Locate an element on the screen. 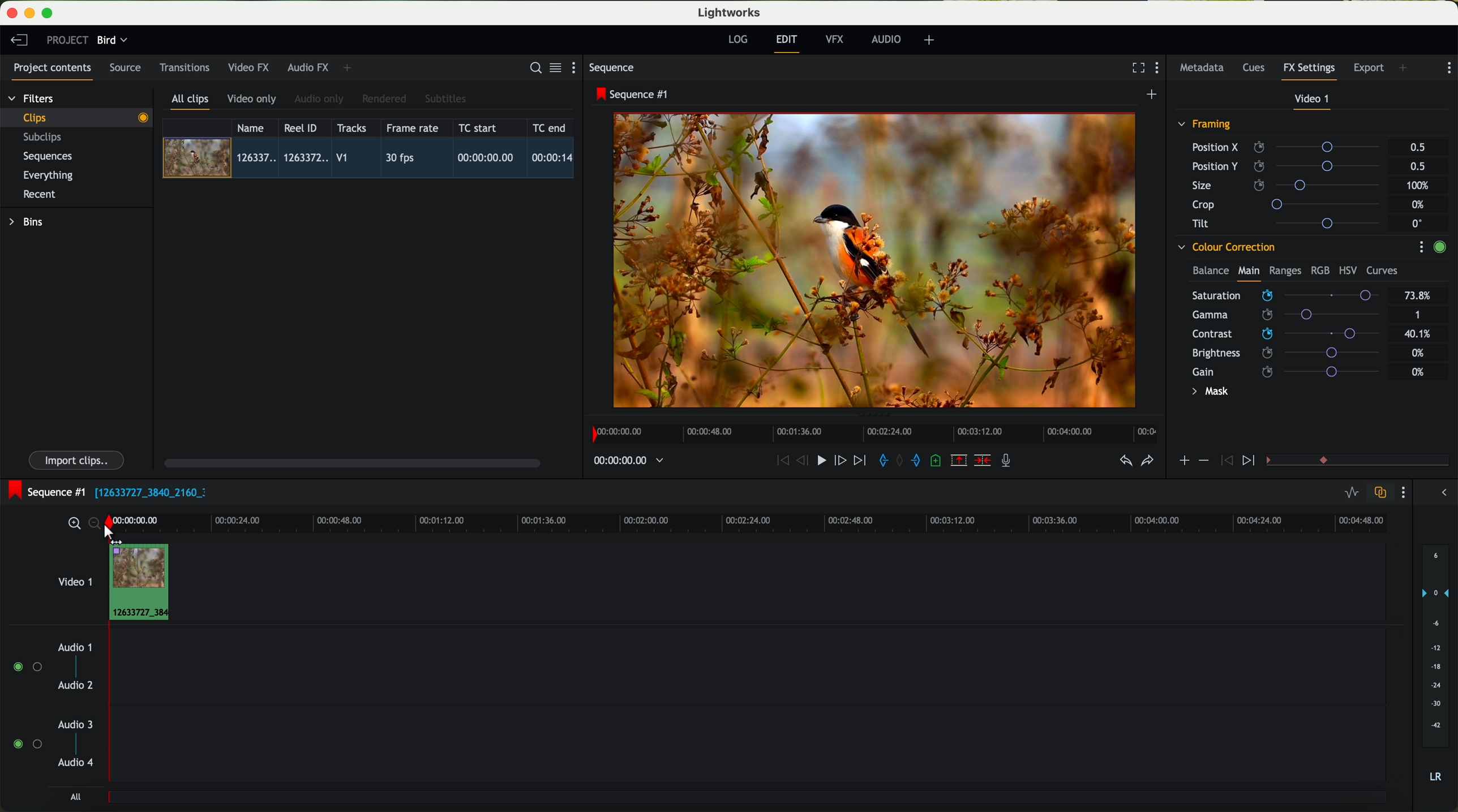 Image resolution: width=1458 pixels, height=812 pixels. add panel is located at coordinates (350, 68).